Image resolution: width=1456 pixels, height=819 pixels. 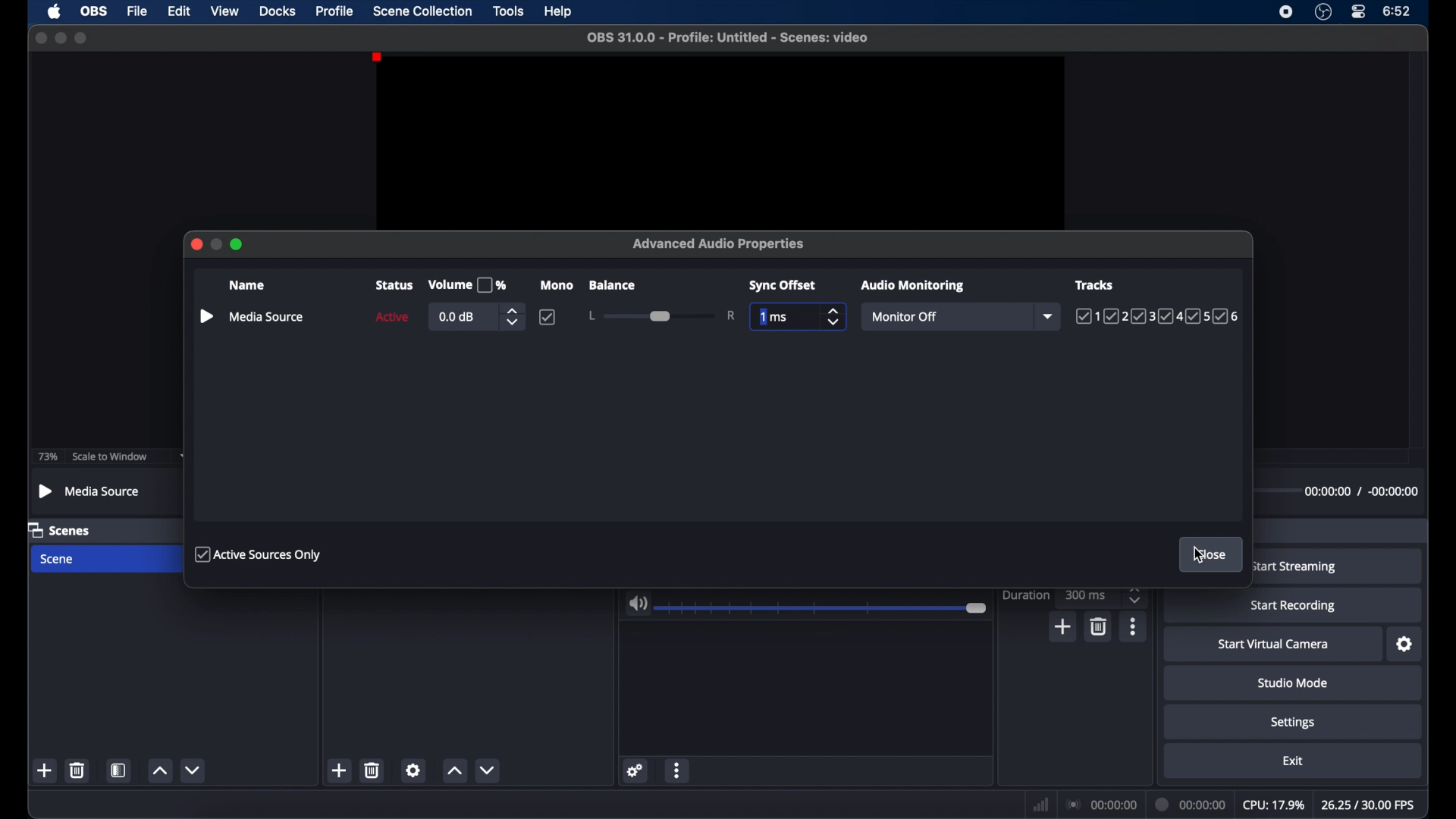 I want to click on time, so click(x=1398, y=11).